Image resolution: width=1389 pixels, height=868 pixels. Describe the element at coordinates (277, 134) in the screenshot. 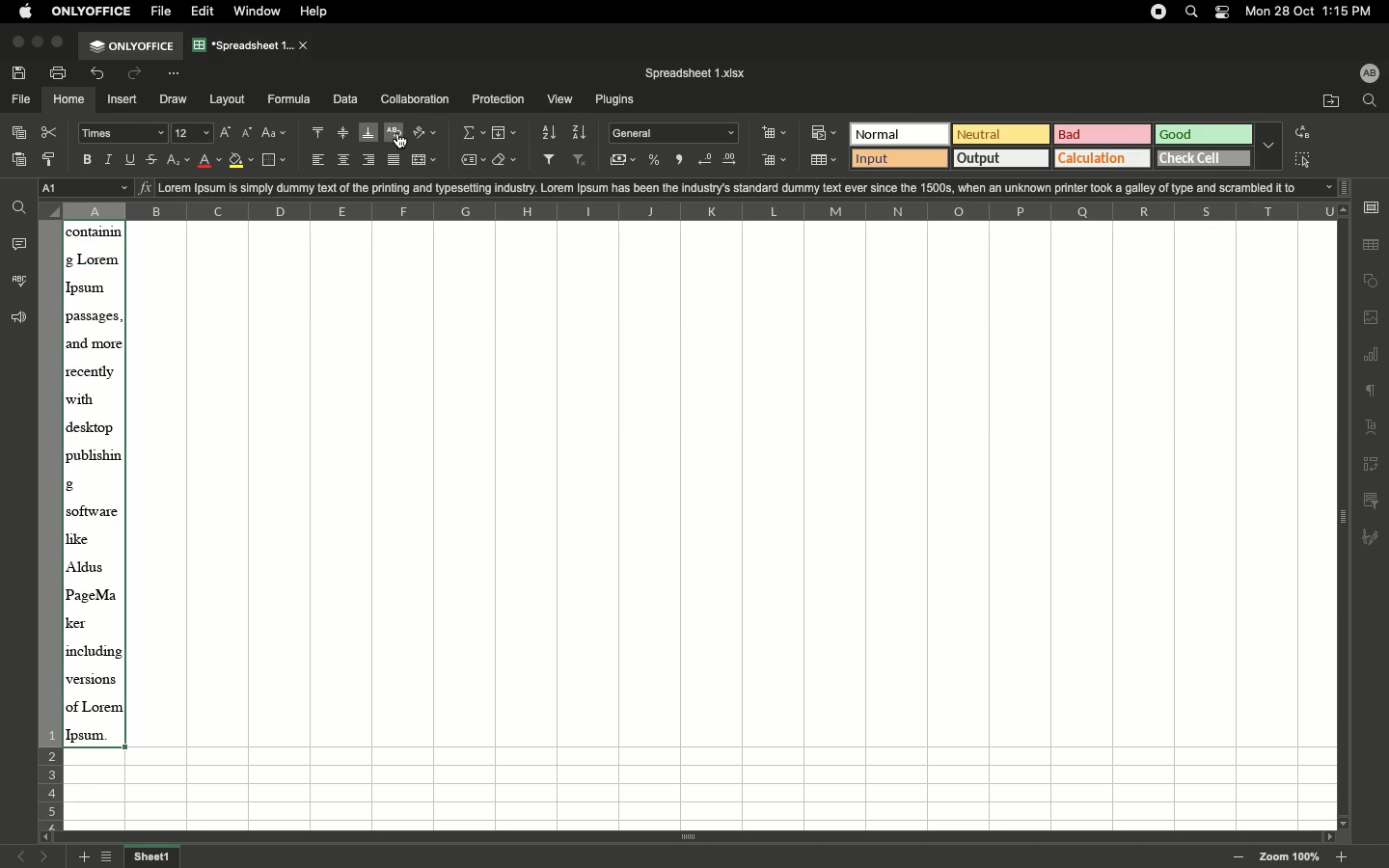

I see `Change case` at that location.